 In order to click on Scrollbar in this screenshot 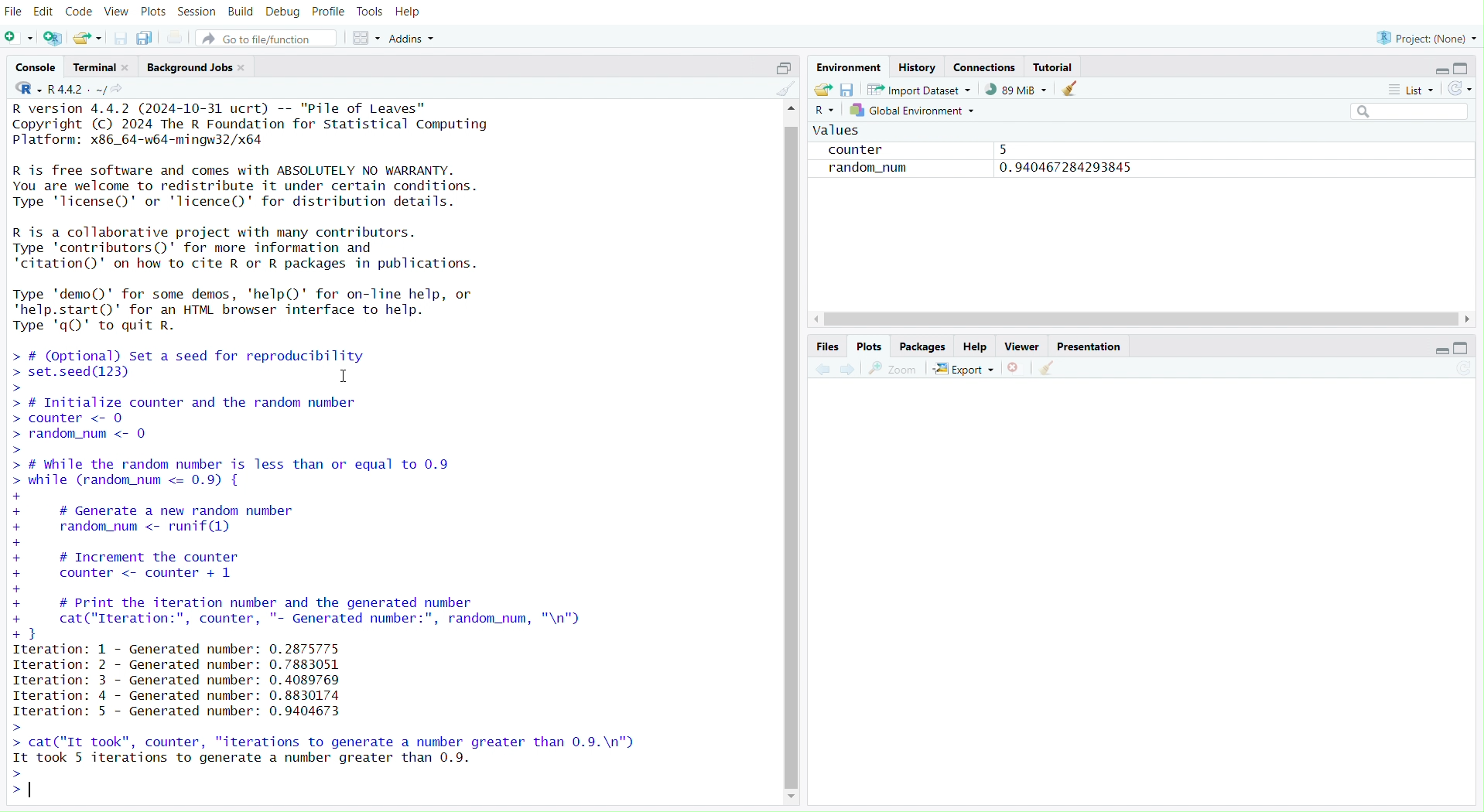, I will do `click(1138, 320)`.